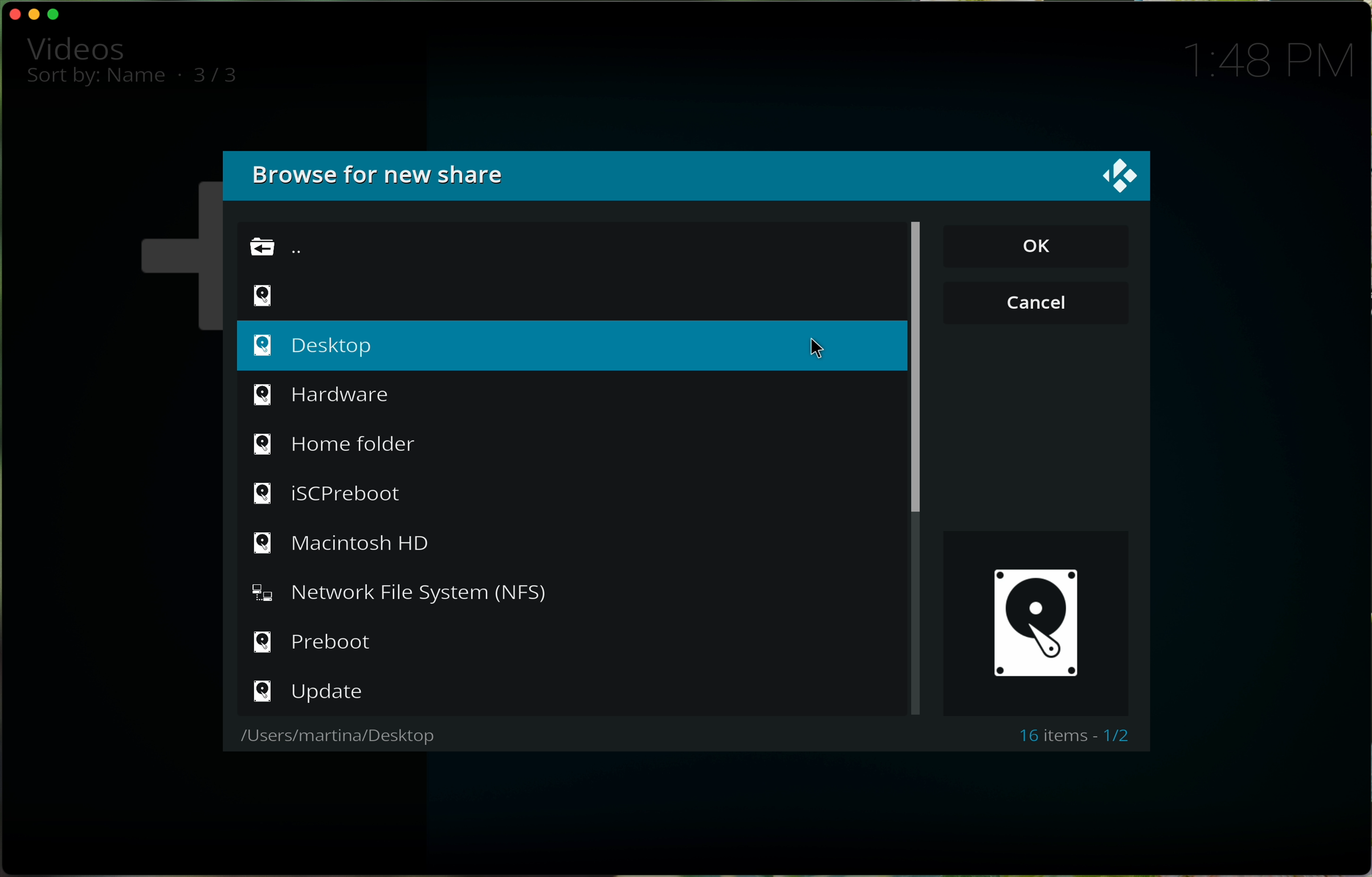 The height and width of the screenshot is (877, 1372). Describe the element at coordinates (1117, 736) in the screenshot. I see `1/2` at that location.